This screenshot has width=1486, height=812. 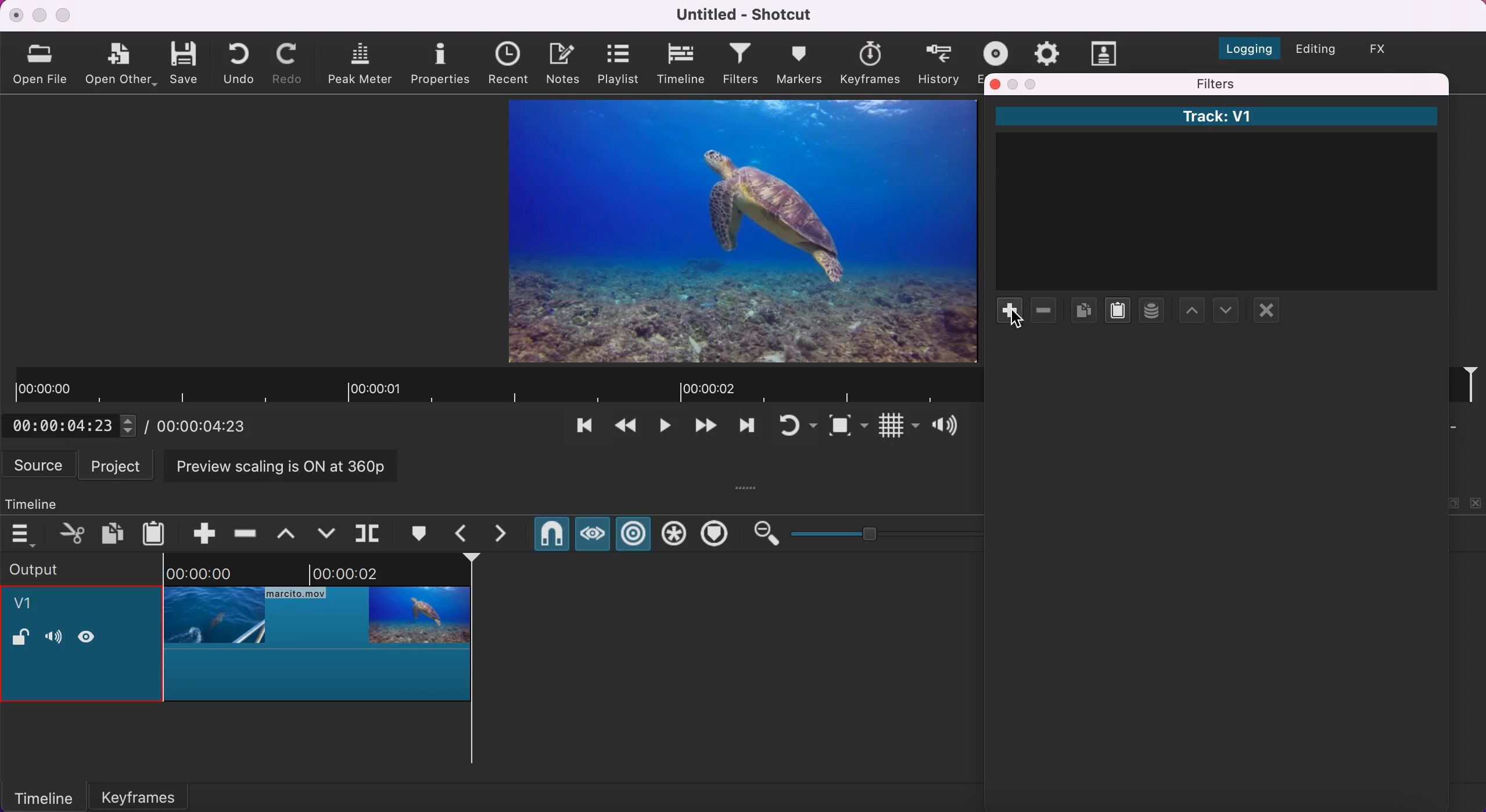 What do you see at coordinates (75, 425) in the screenshot?
I see `current position` at bounding box center [75, 425].